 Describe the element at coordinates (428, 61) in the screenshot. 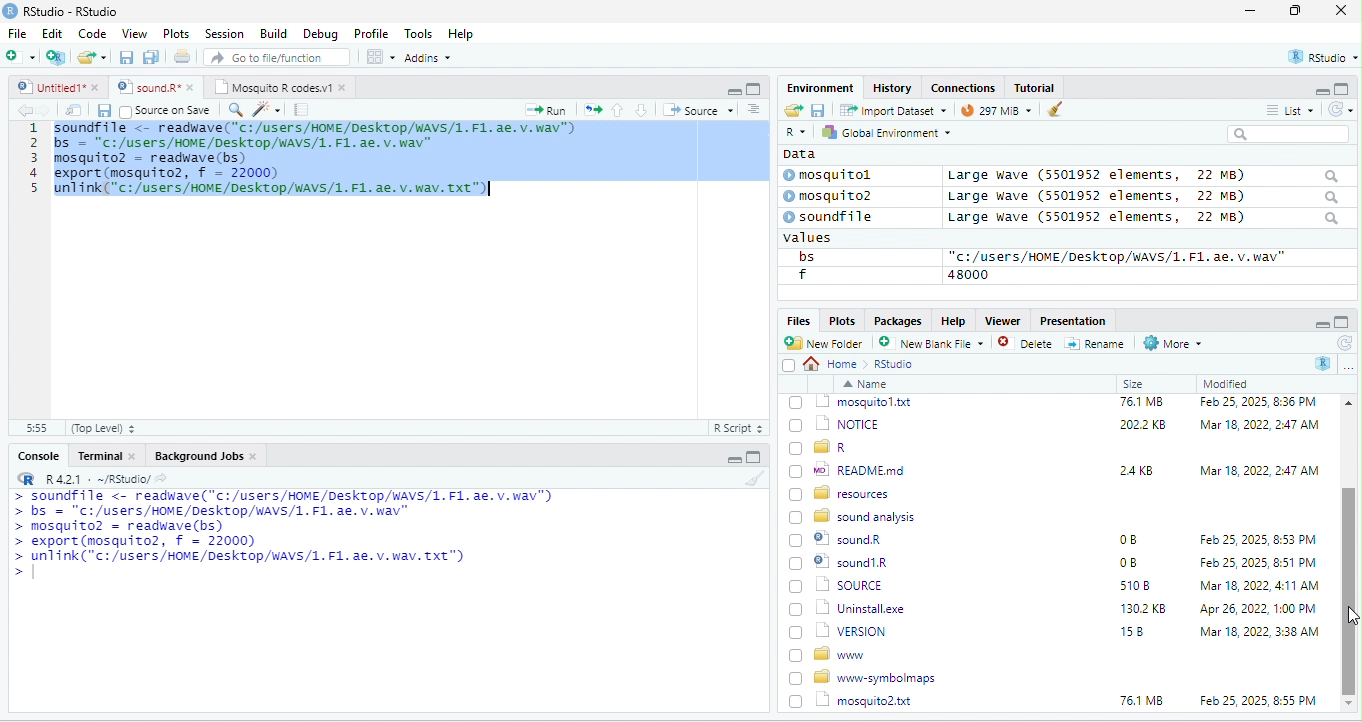

I see `Adonns ` at that location.